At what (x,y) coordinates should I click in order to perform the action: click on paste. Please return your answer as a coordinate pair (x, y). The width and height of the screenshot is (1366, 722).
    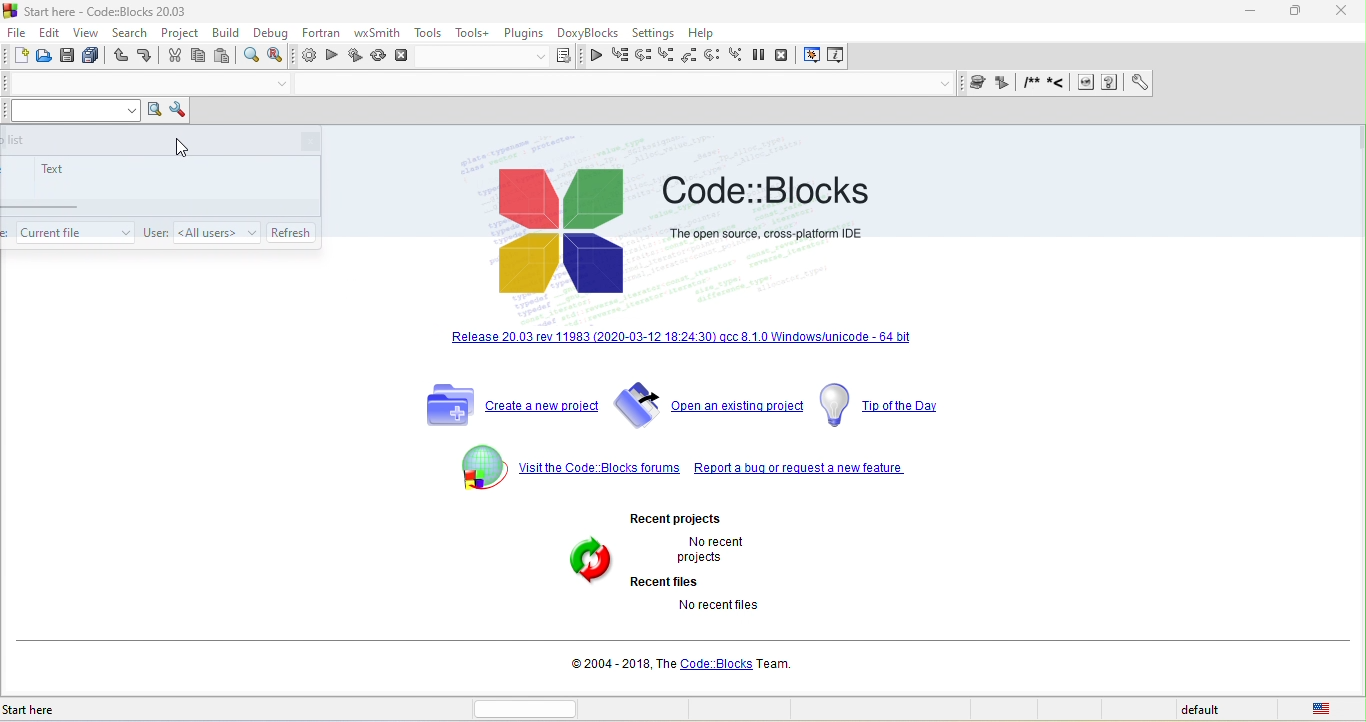
    Looking at the image, I should click on (223, 57).